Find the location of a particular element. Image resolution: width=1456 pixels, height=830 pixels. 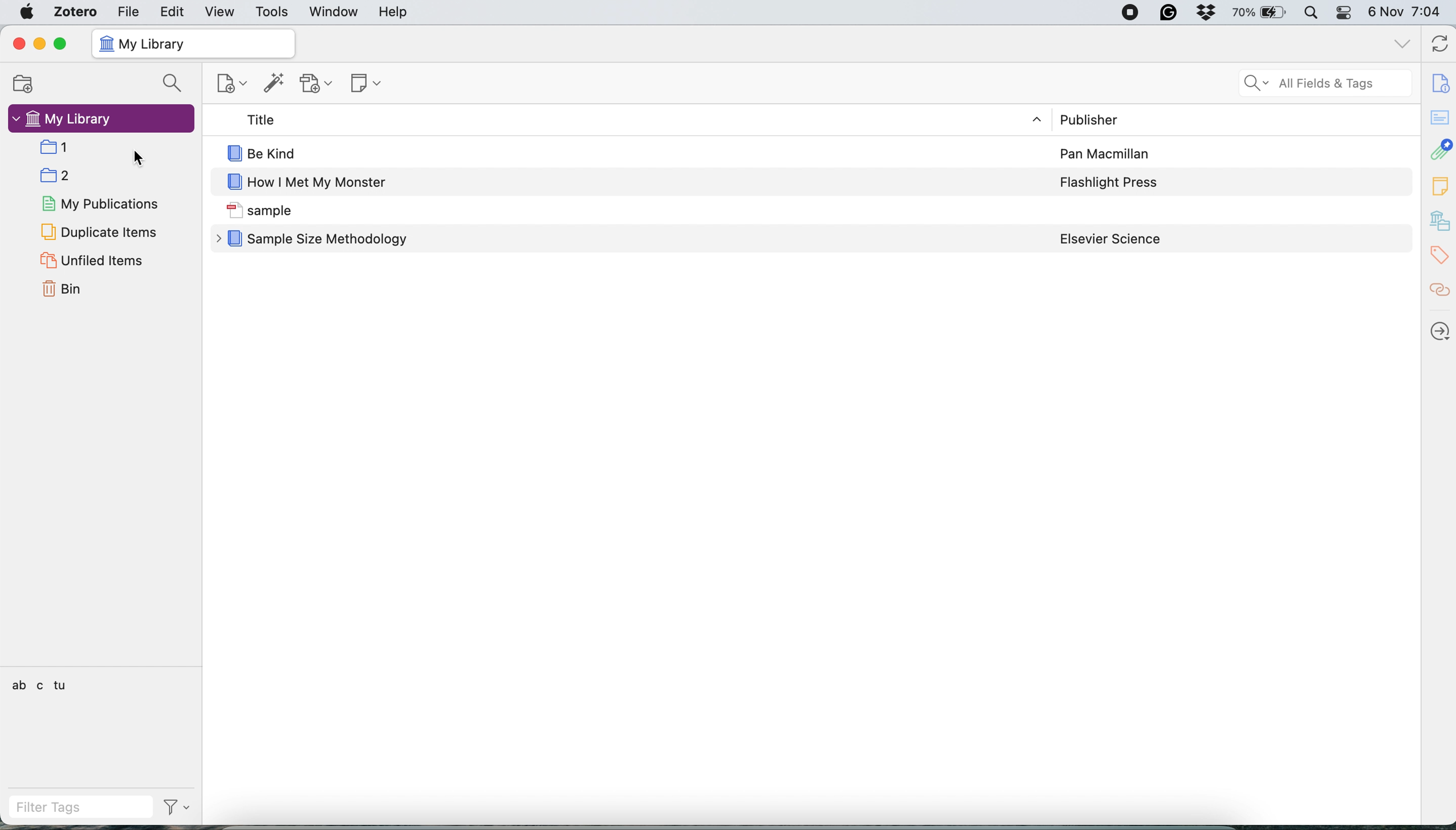

search fields and tags is located at coordinates (1316, 81).